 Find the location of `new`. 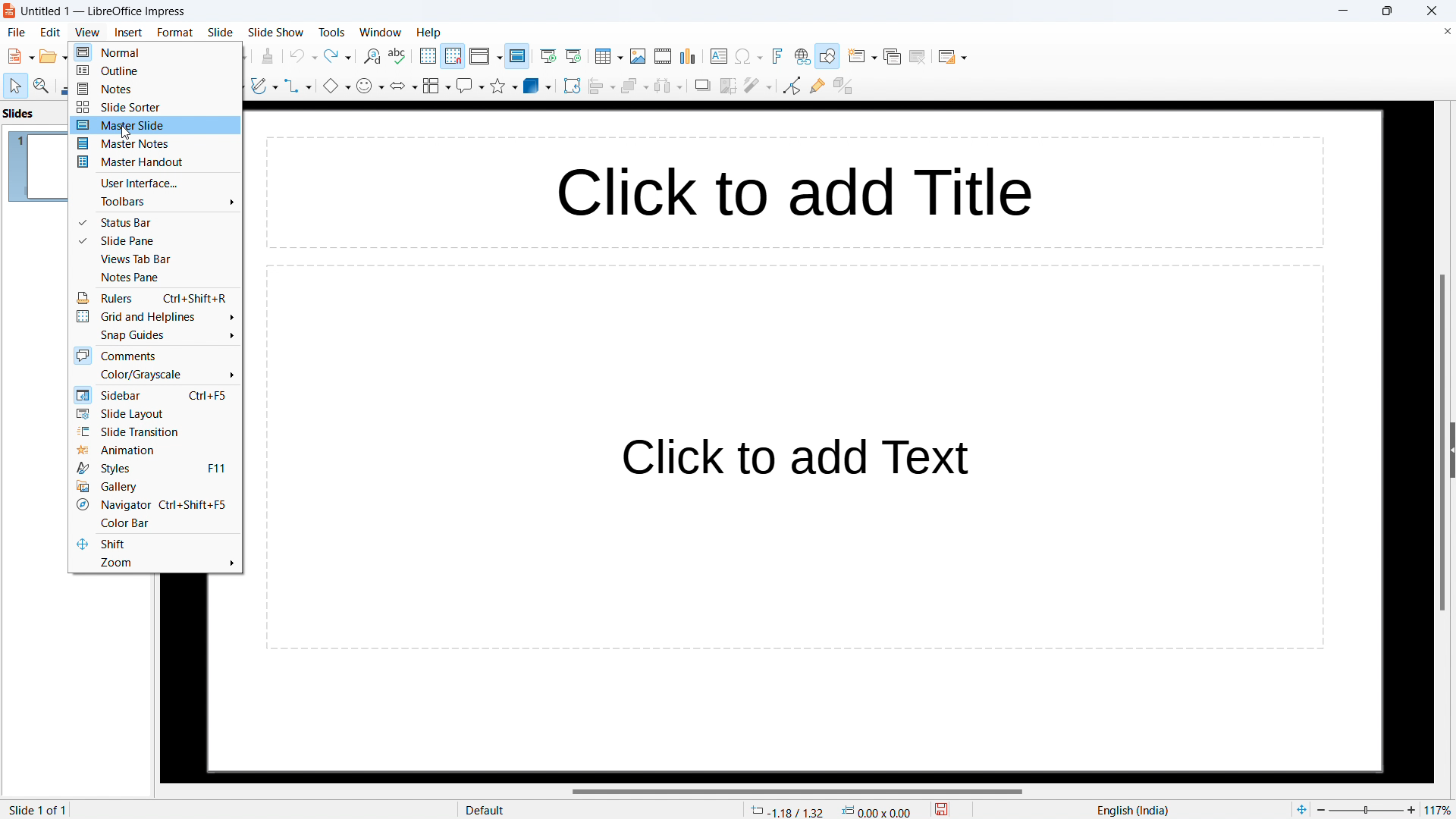

new is located at coordinates (21, 56).